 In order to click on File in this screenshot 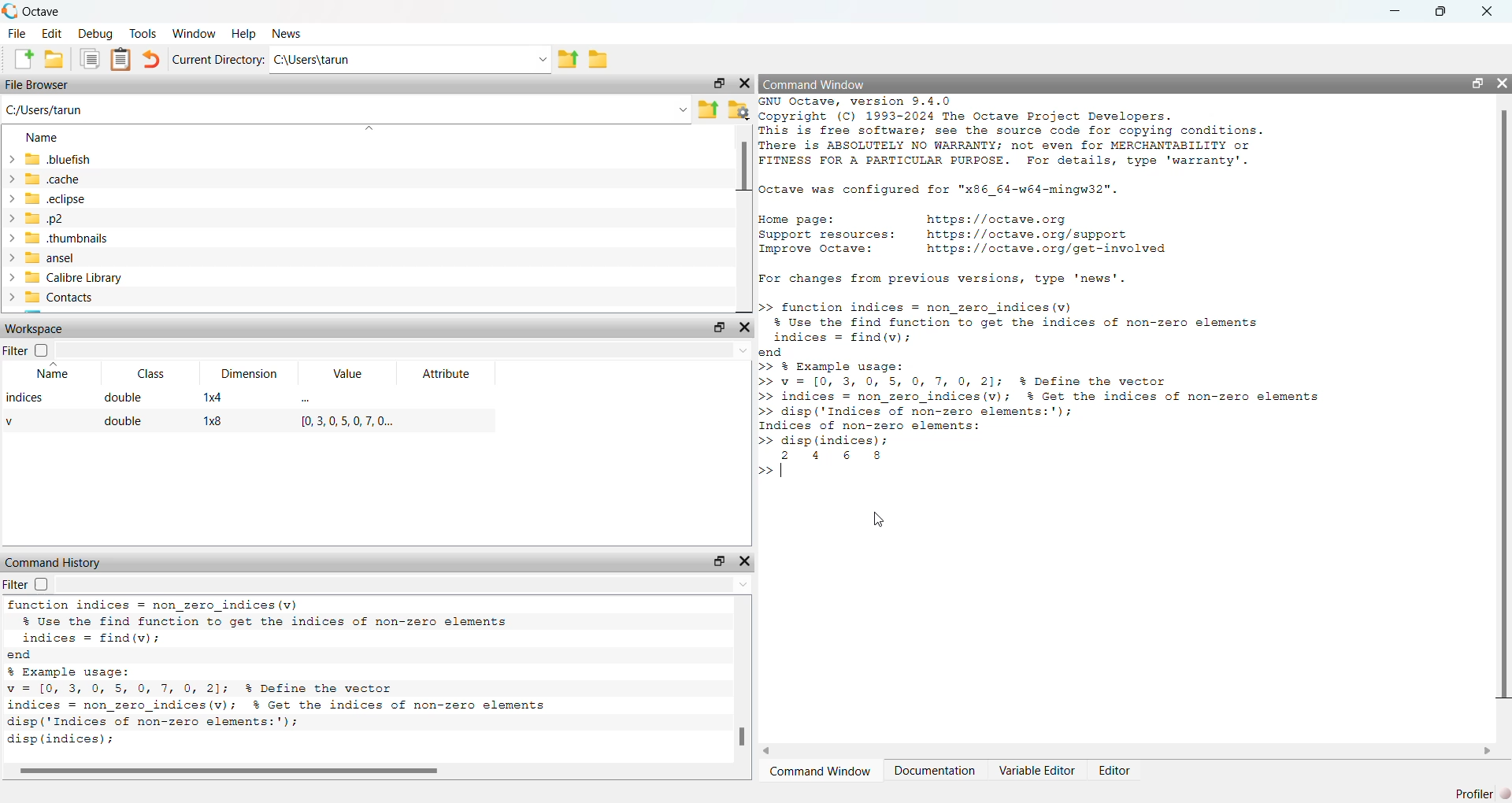, I will do `click(18, 35)`.